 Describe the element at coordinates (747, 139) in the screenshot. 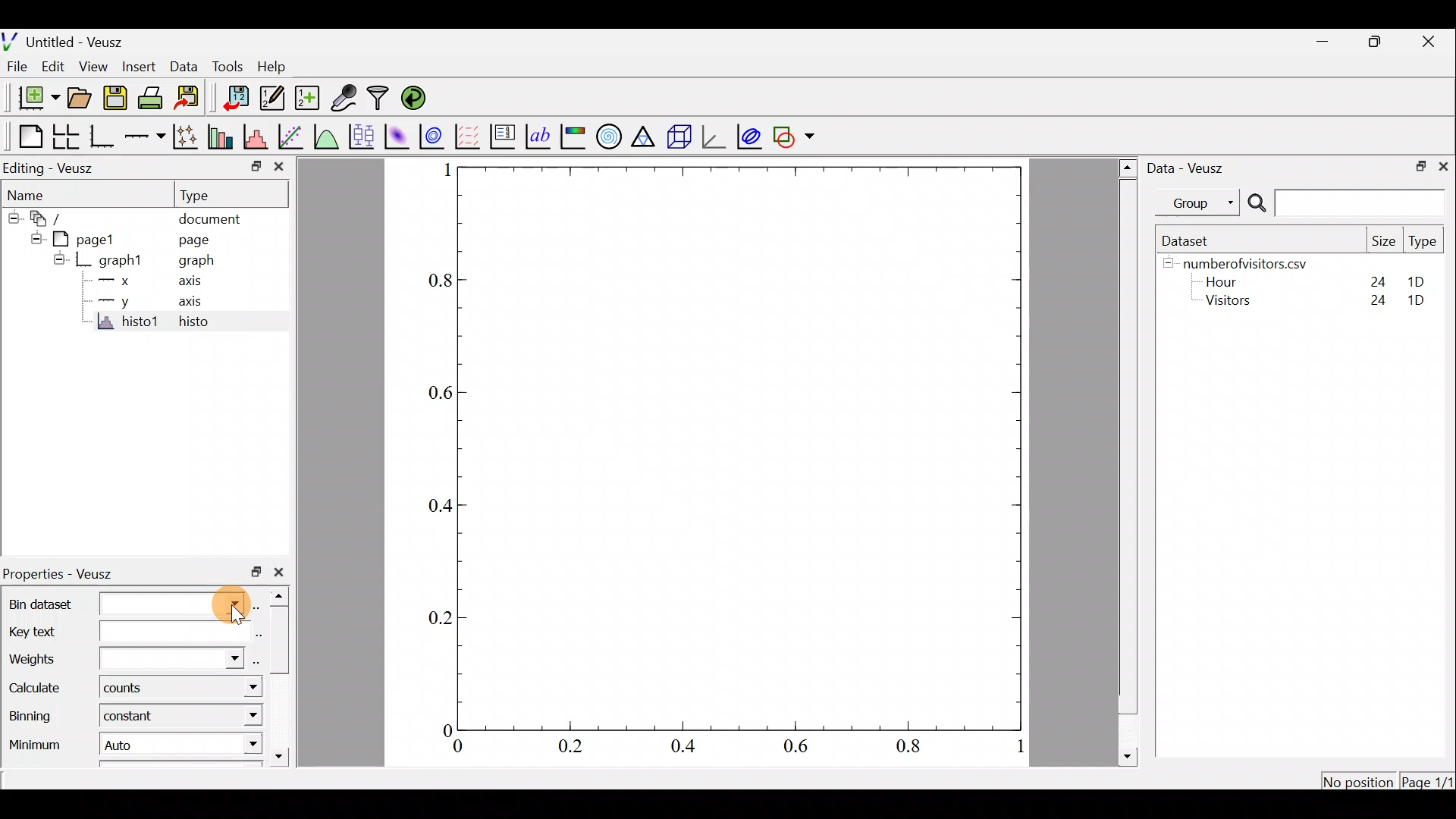

I see `plot covariance ellipses` at that location.